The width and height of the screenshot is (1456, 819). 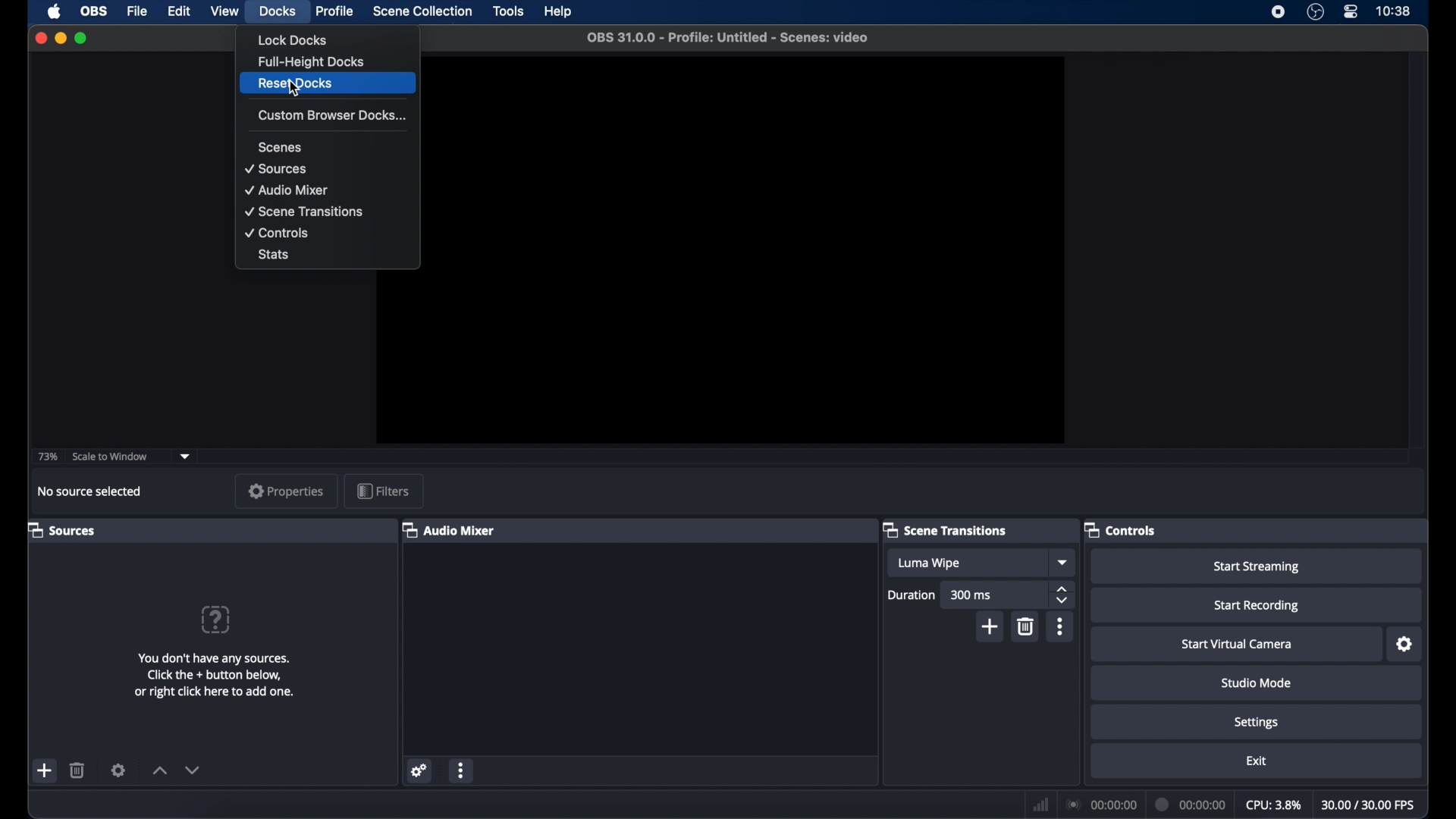 I want to click on cpu: 3.8%, so click(x=1274, y=805).